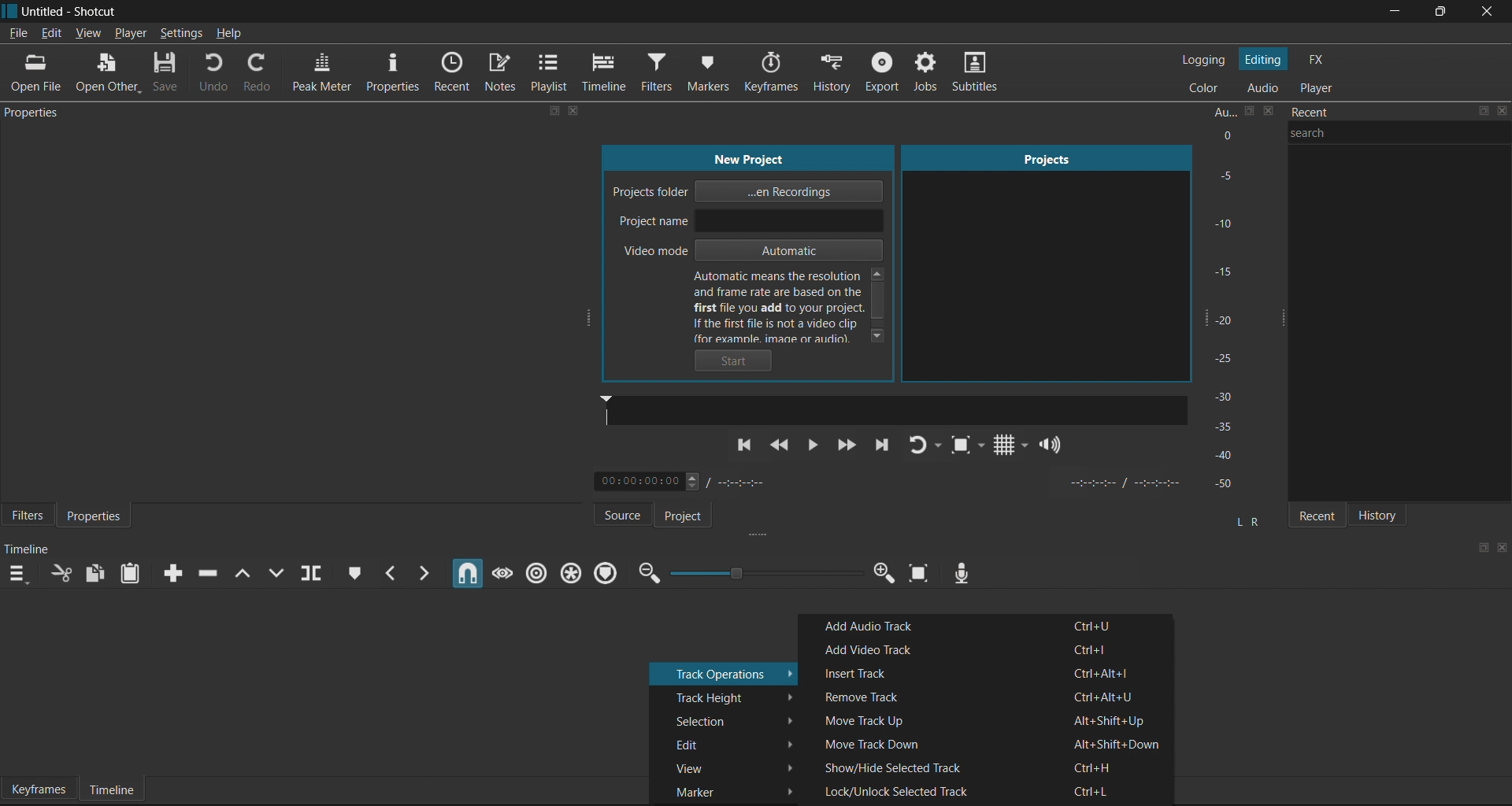  What do you see at coordinates (728, 695) in the screenshot?
I see `Track Height` at bounding box center [728, 695].